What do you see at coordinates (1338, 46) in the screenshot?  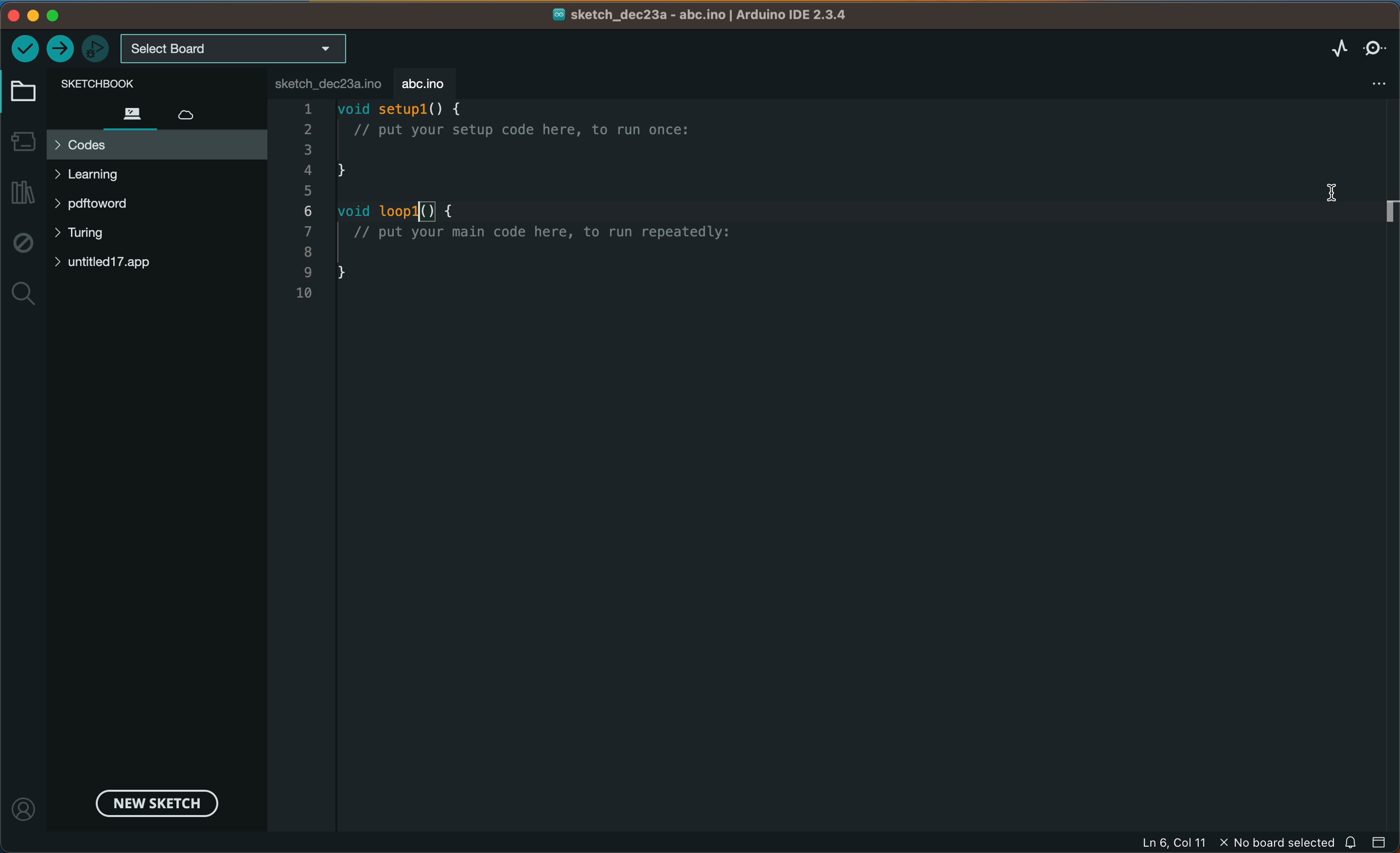 I see `serial plotter` at bounding box center [1338, 46].